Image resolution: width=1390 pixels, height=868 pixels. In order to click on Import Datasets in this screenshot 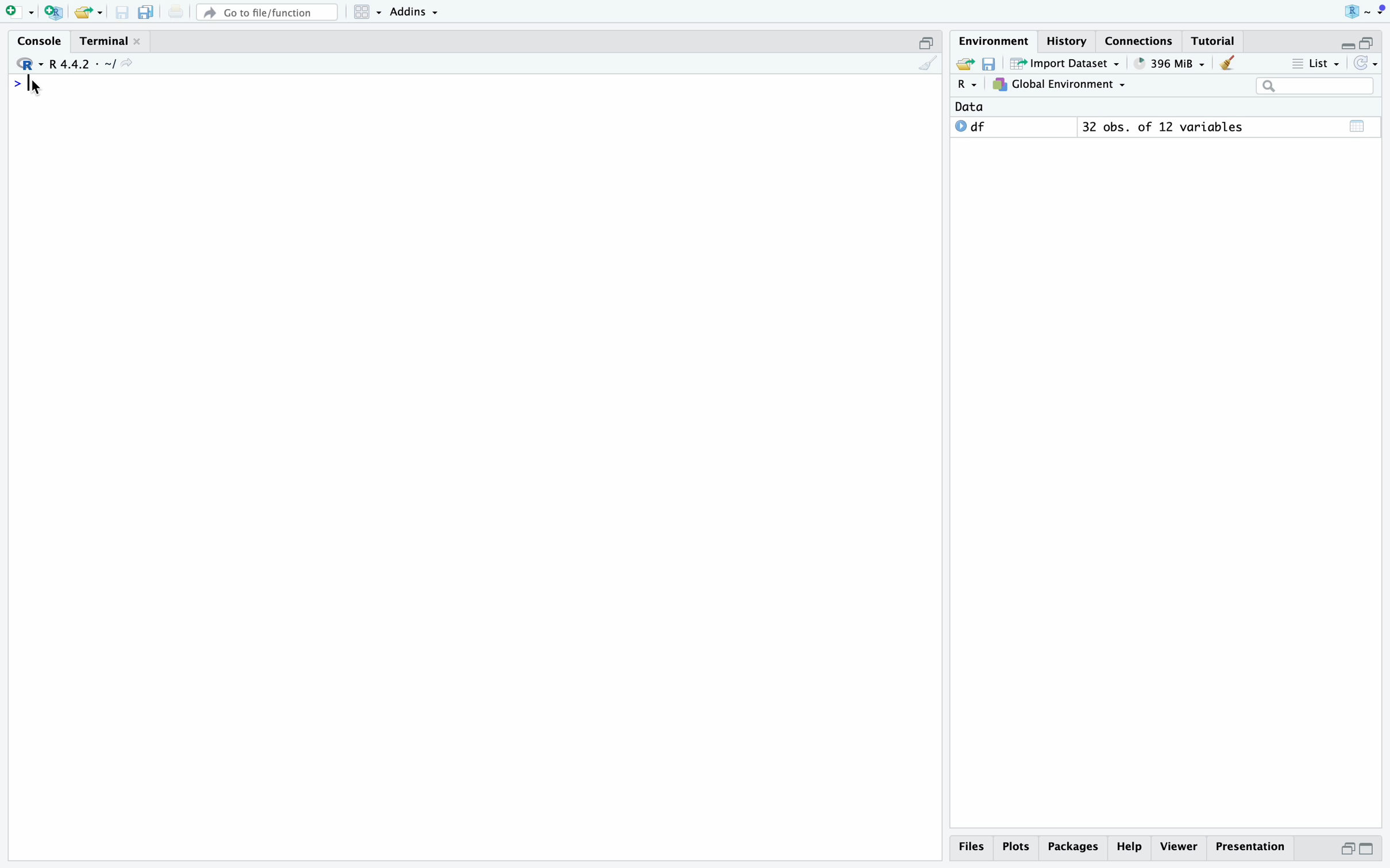, I will do `click(1065, 63)`.